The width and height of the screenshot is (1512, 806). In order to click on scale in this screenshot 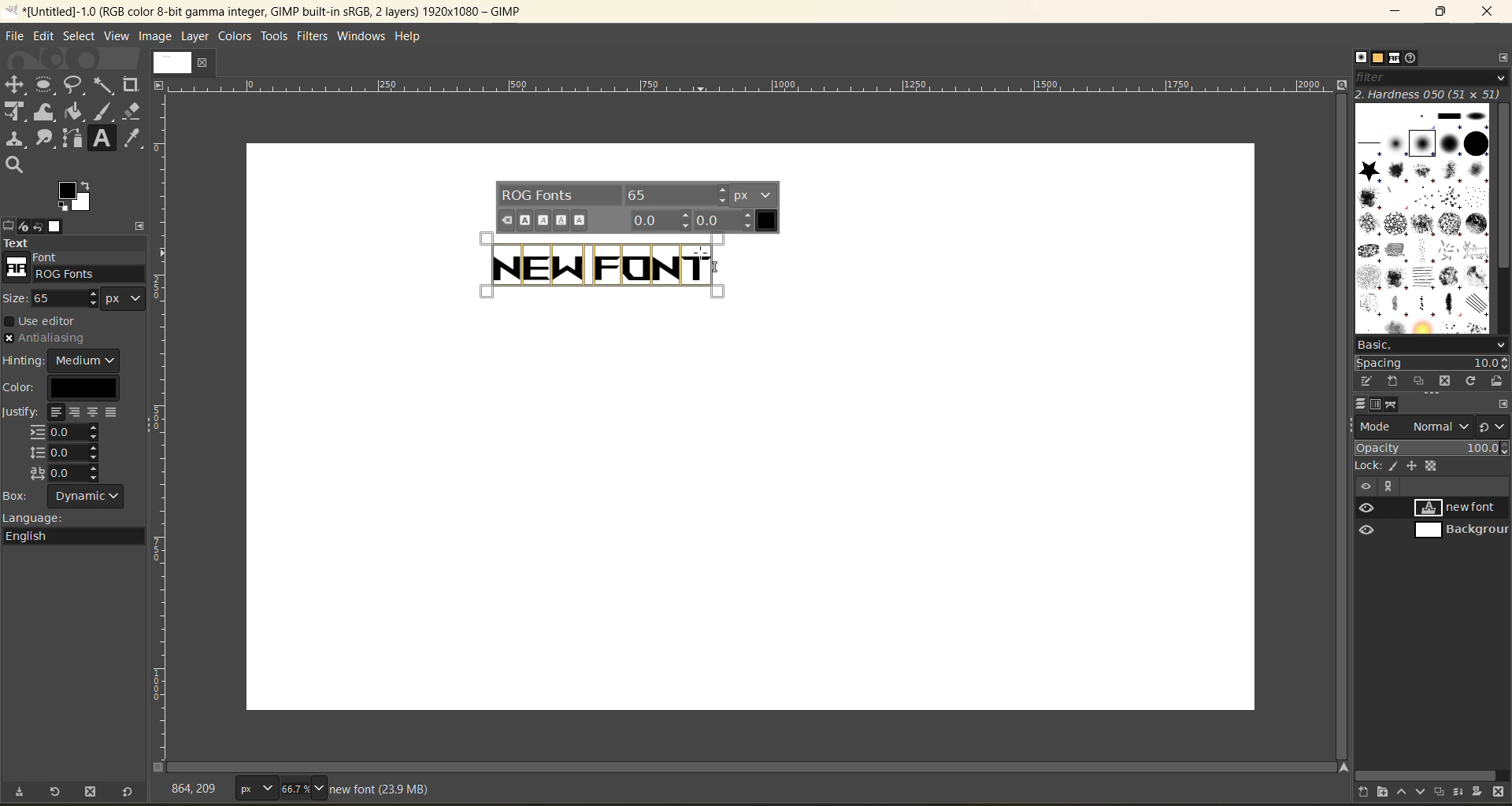, I will do `click(748, 86)`.